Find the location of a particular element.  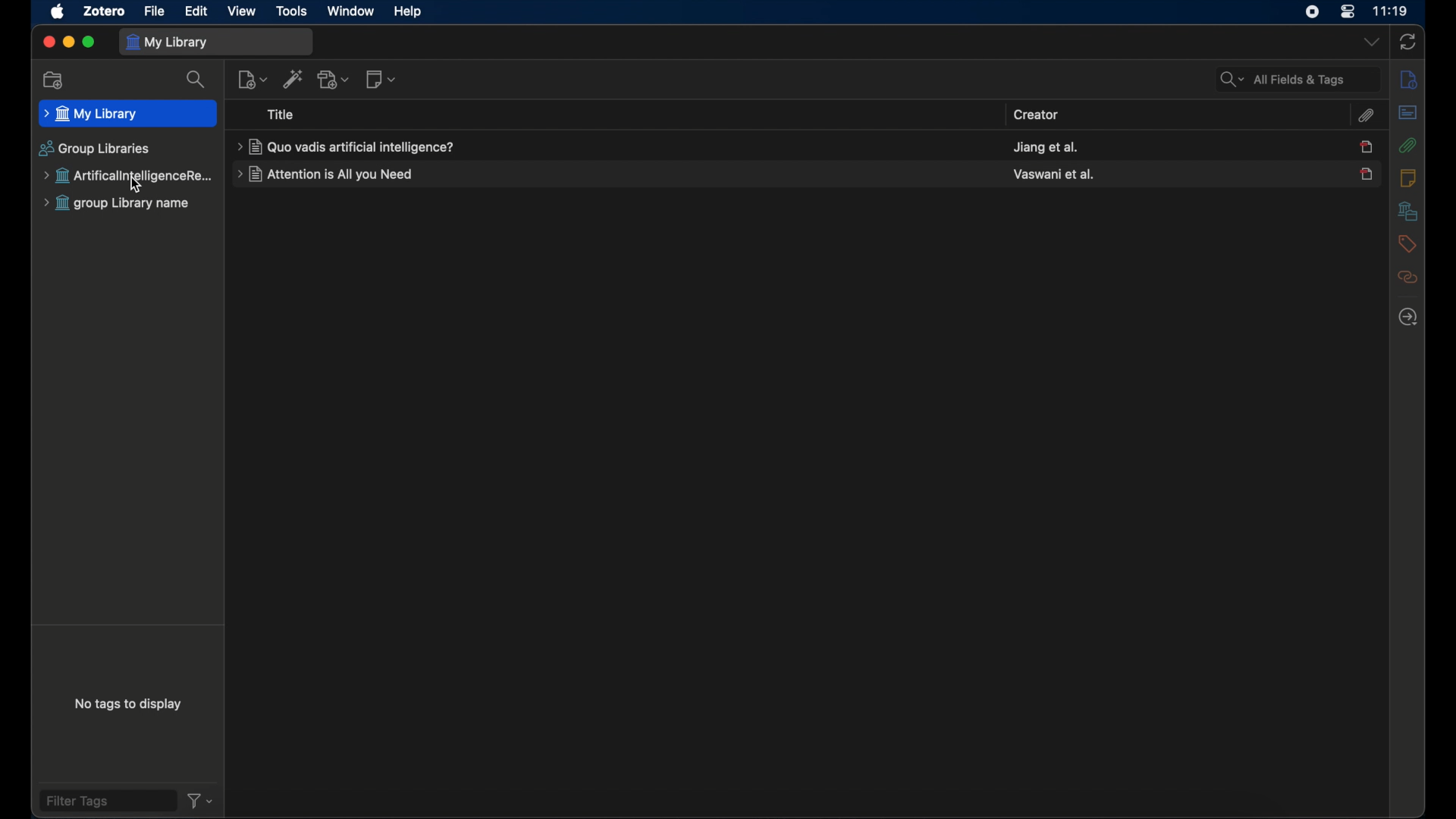

my library is located at coordinates (215, 42).